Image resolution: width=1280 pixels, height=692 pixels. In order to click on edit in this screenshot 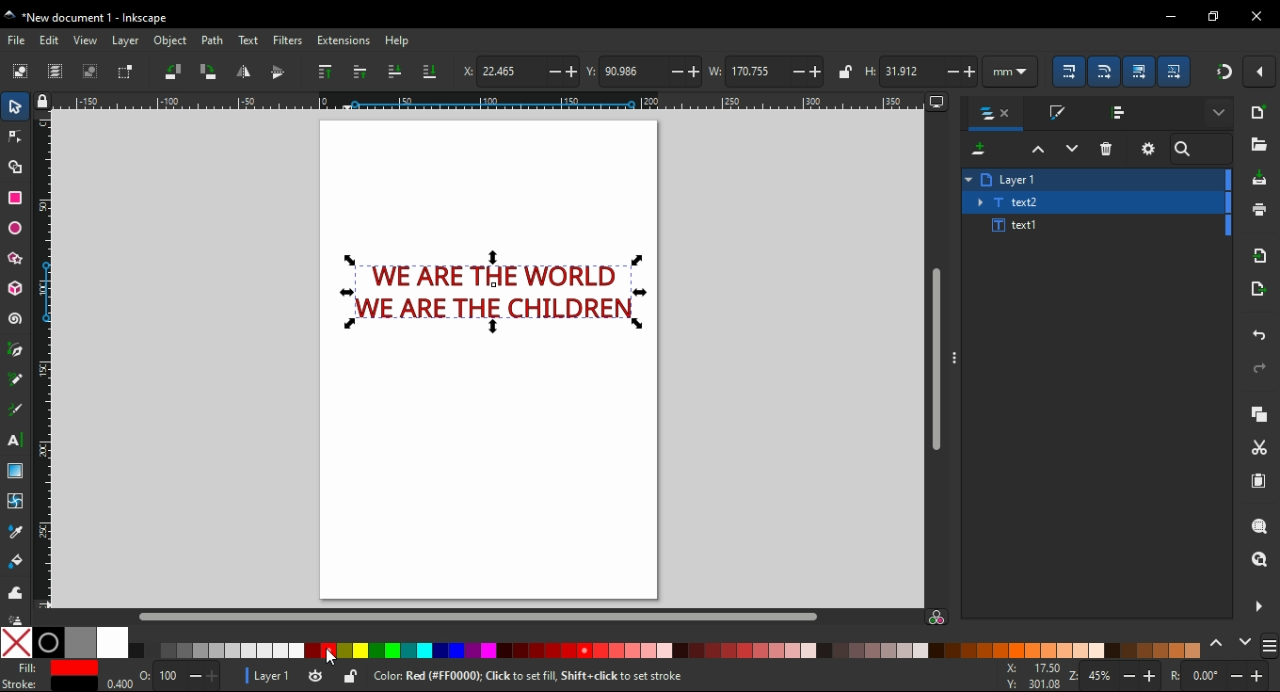, I will do `click(52, 41)`.